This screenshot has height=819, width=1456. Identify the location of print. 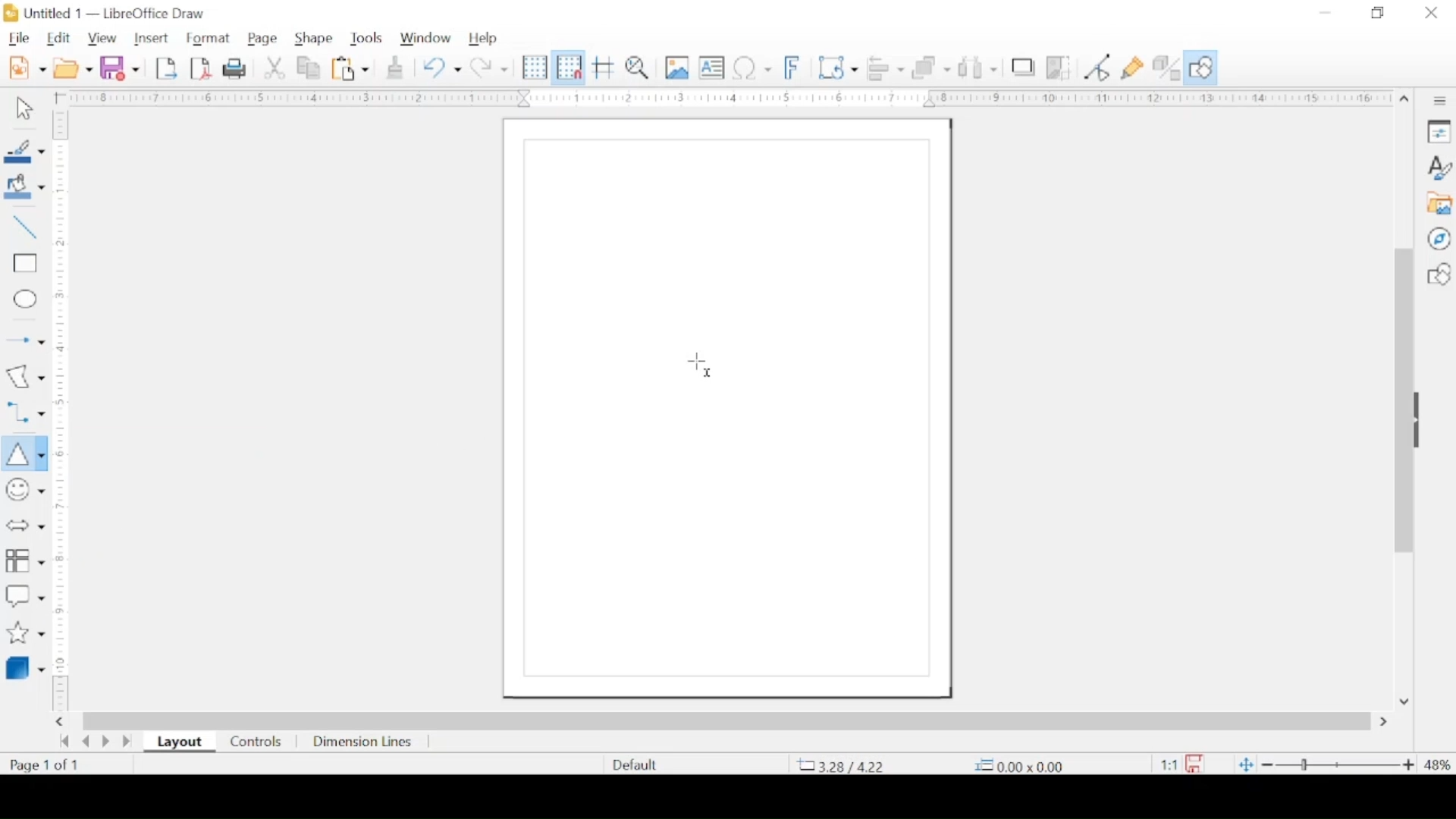
(234, 68).